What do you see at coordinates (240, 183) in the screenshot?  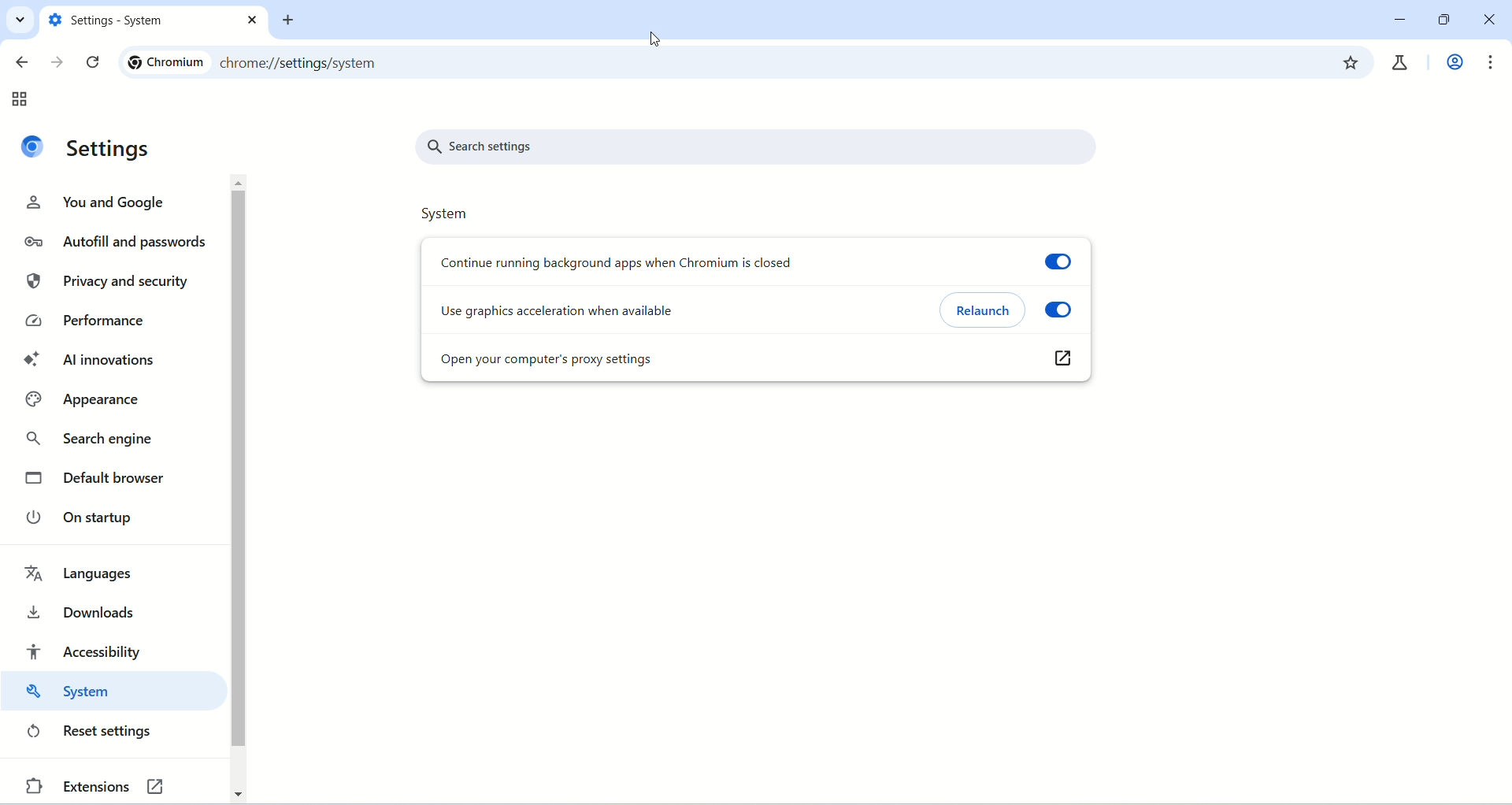 I see `move up` at bounding box center [240, 183].